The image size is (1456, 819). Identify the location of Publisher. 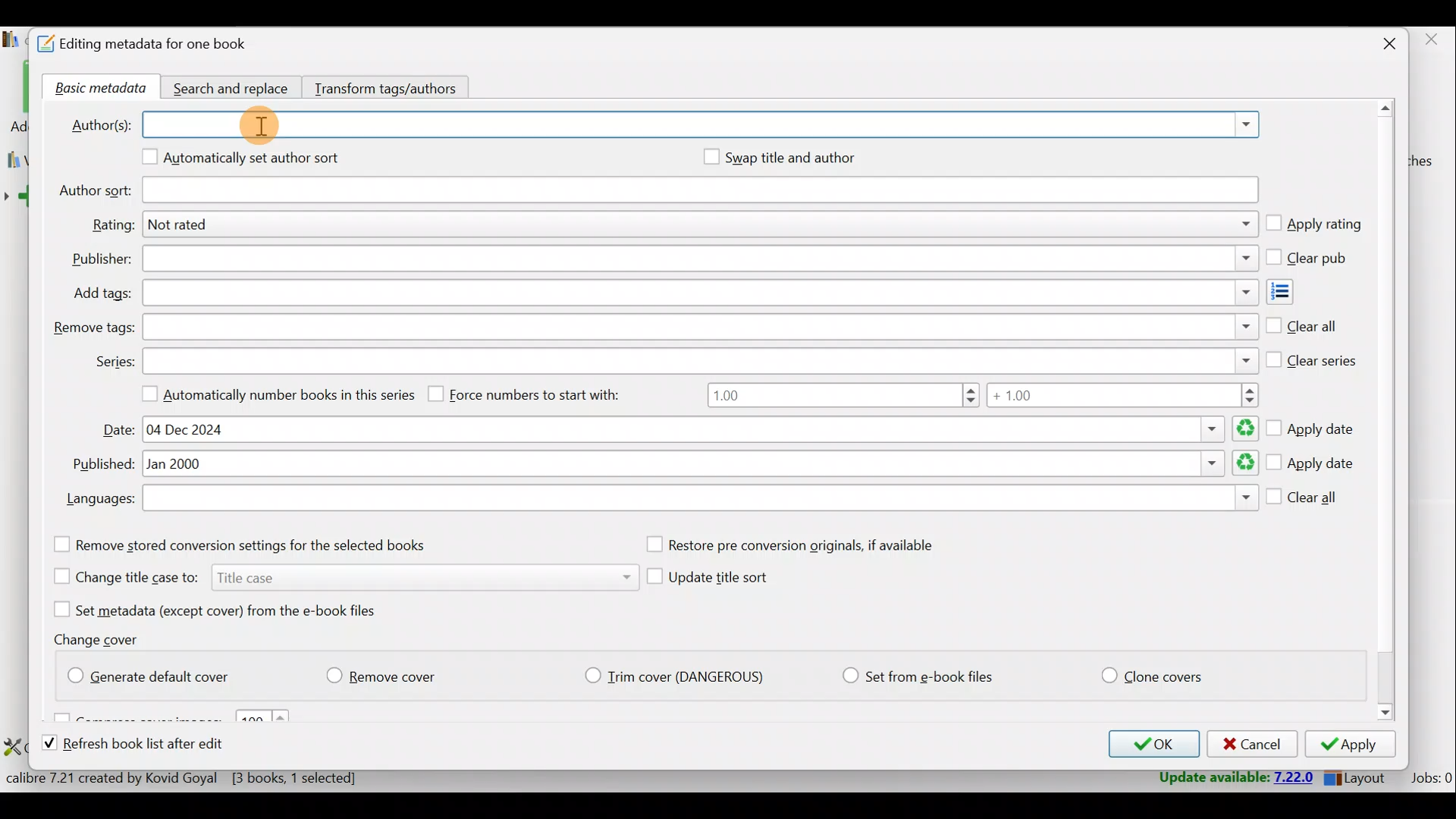
(699, 260).